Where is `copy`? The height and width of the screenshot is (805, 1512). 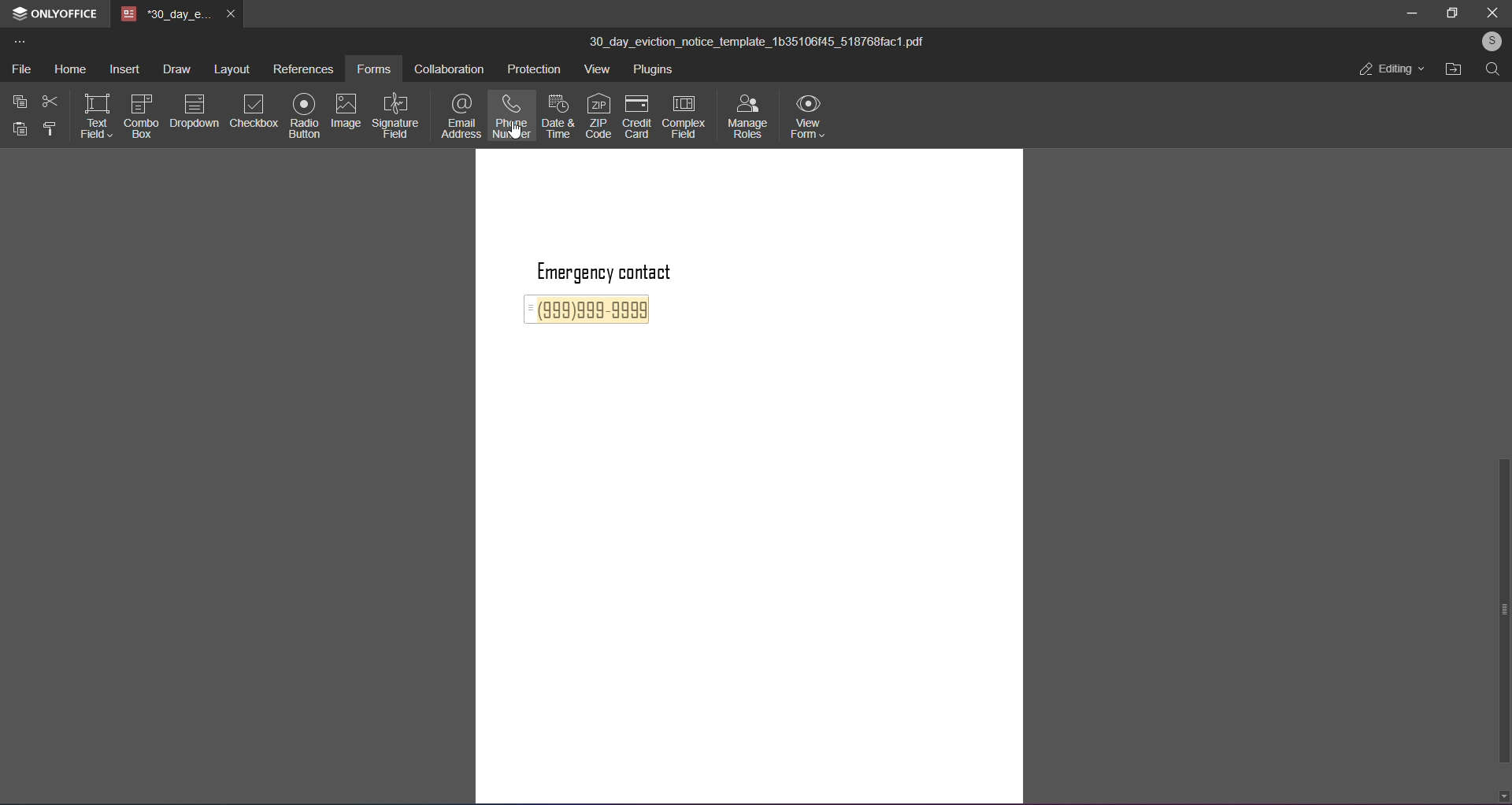
copy is located at coordinates (20, 102).